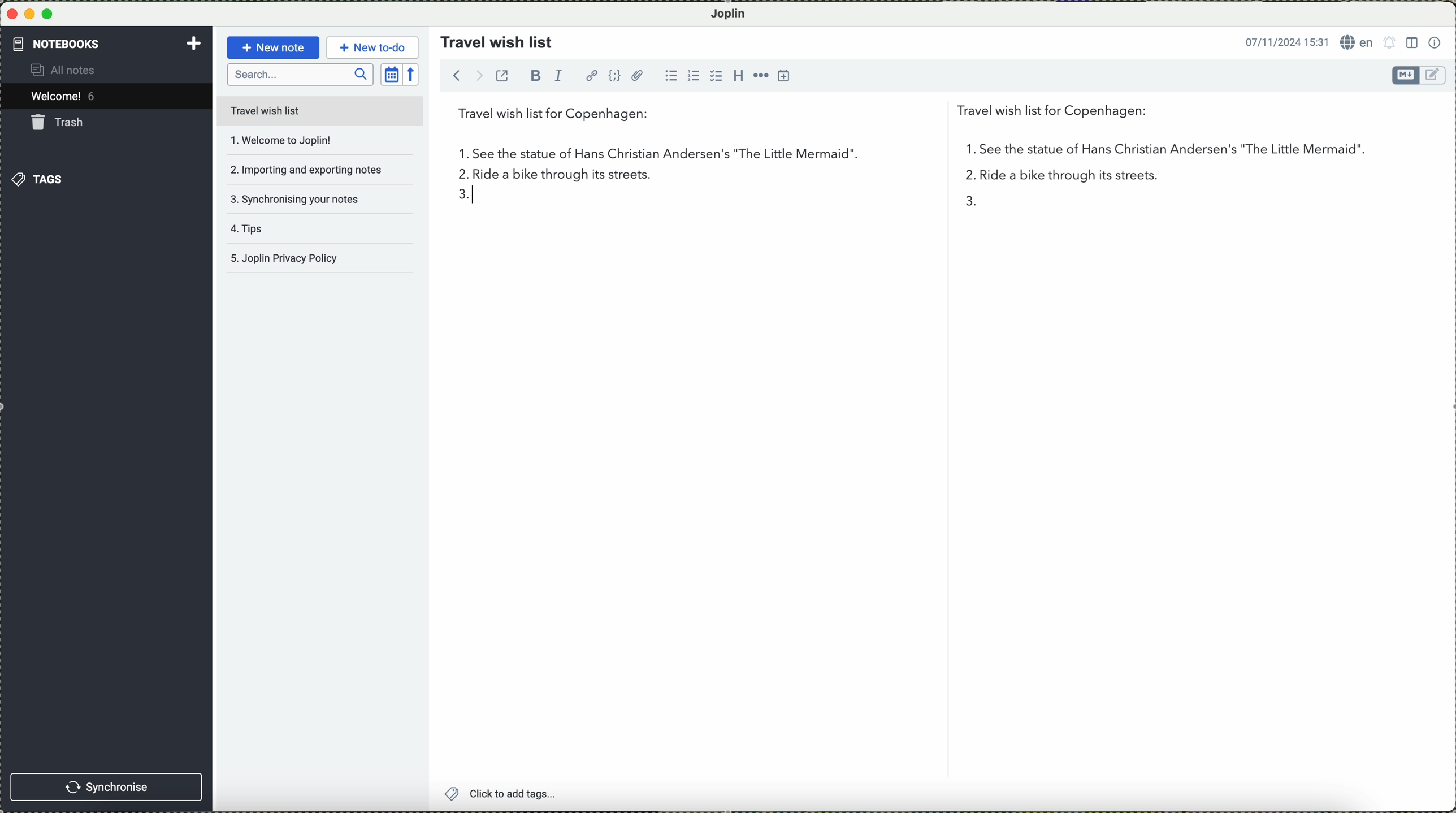 Image resolution: width=1456 pixels, height=813 pixels. Describe the element at coordinates (107, 44) in the screenshot. I see `notebooks tab` at that location.